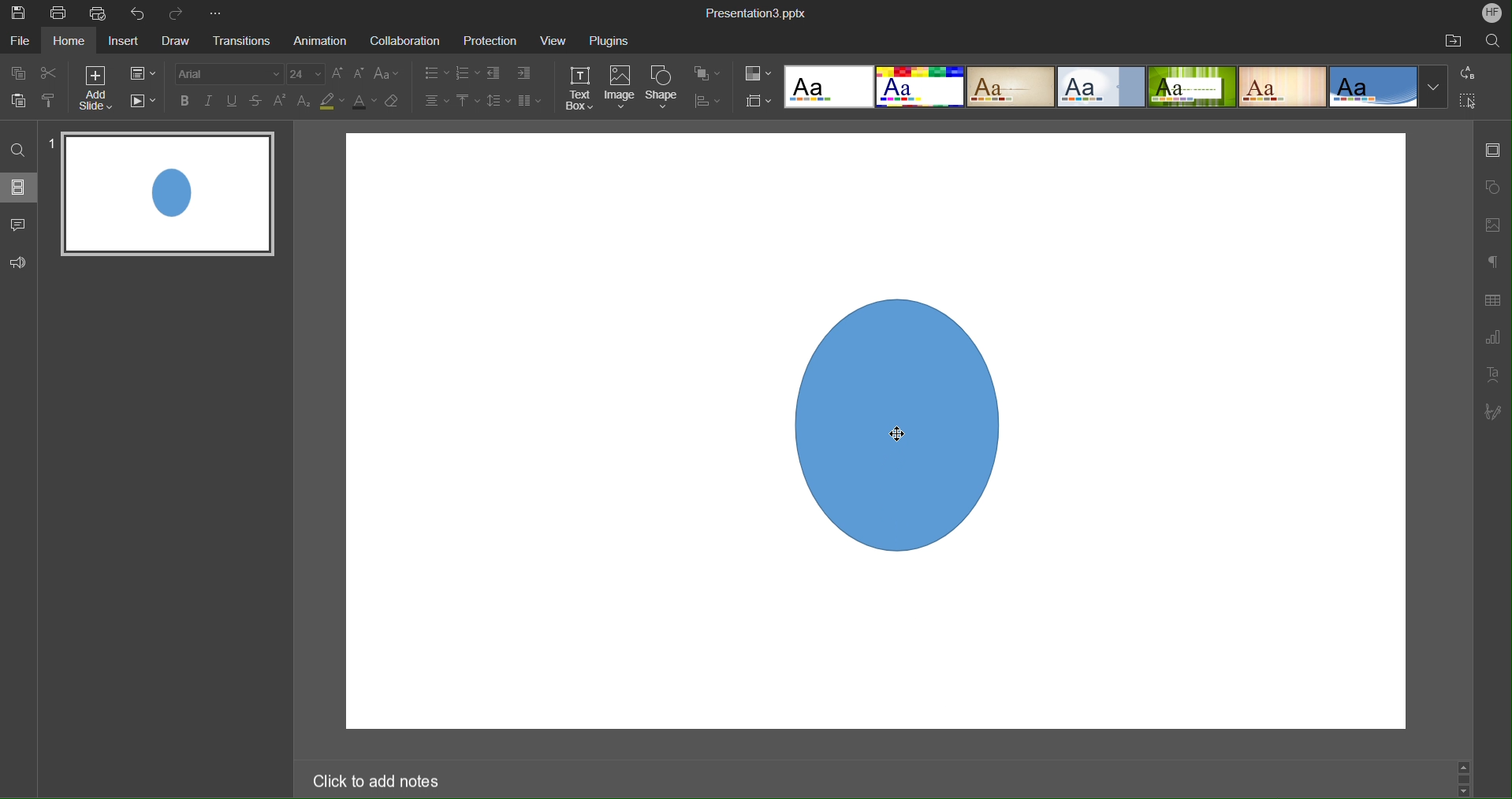  What do you see at coordinates (210, 103) in the screenshot?
I see `Italics` at bounding box center [210, 103].